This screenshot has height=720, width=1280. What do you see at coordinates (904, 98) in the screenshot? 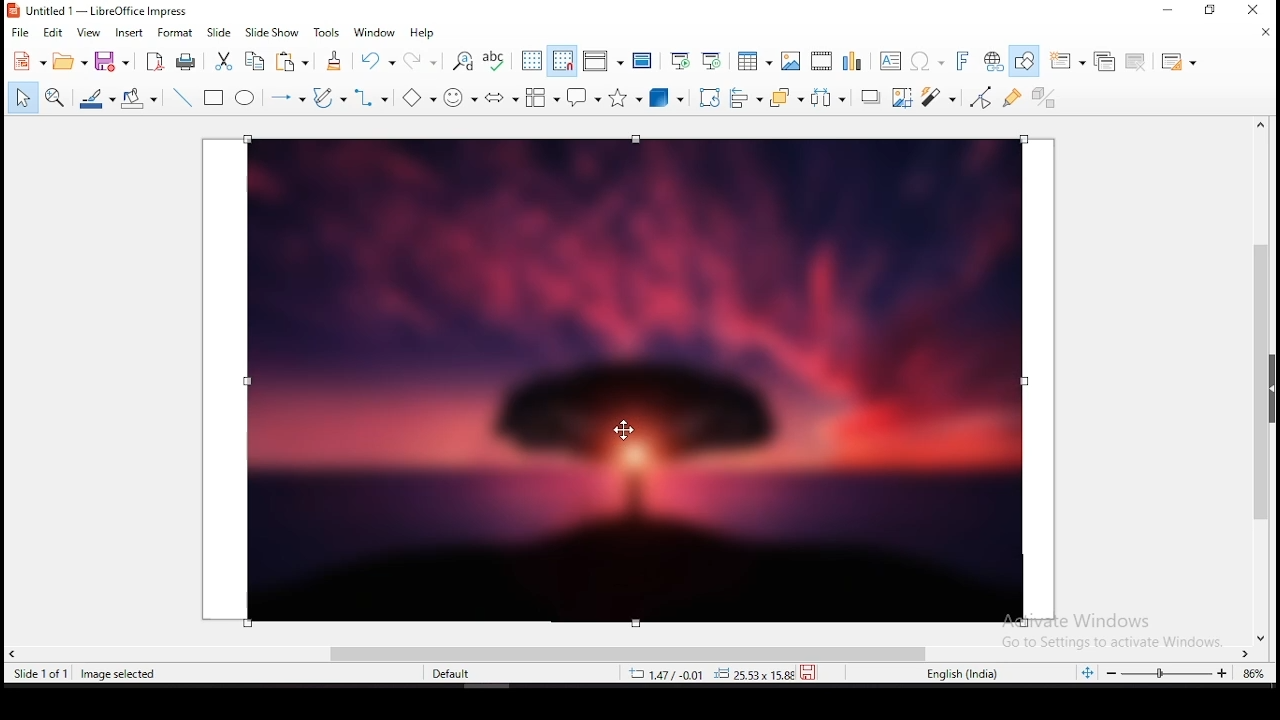
I see `crop image` at bounding box center [904, 98].